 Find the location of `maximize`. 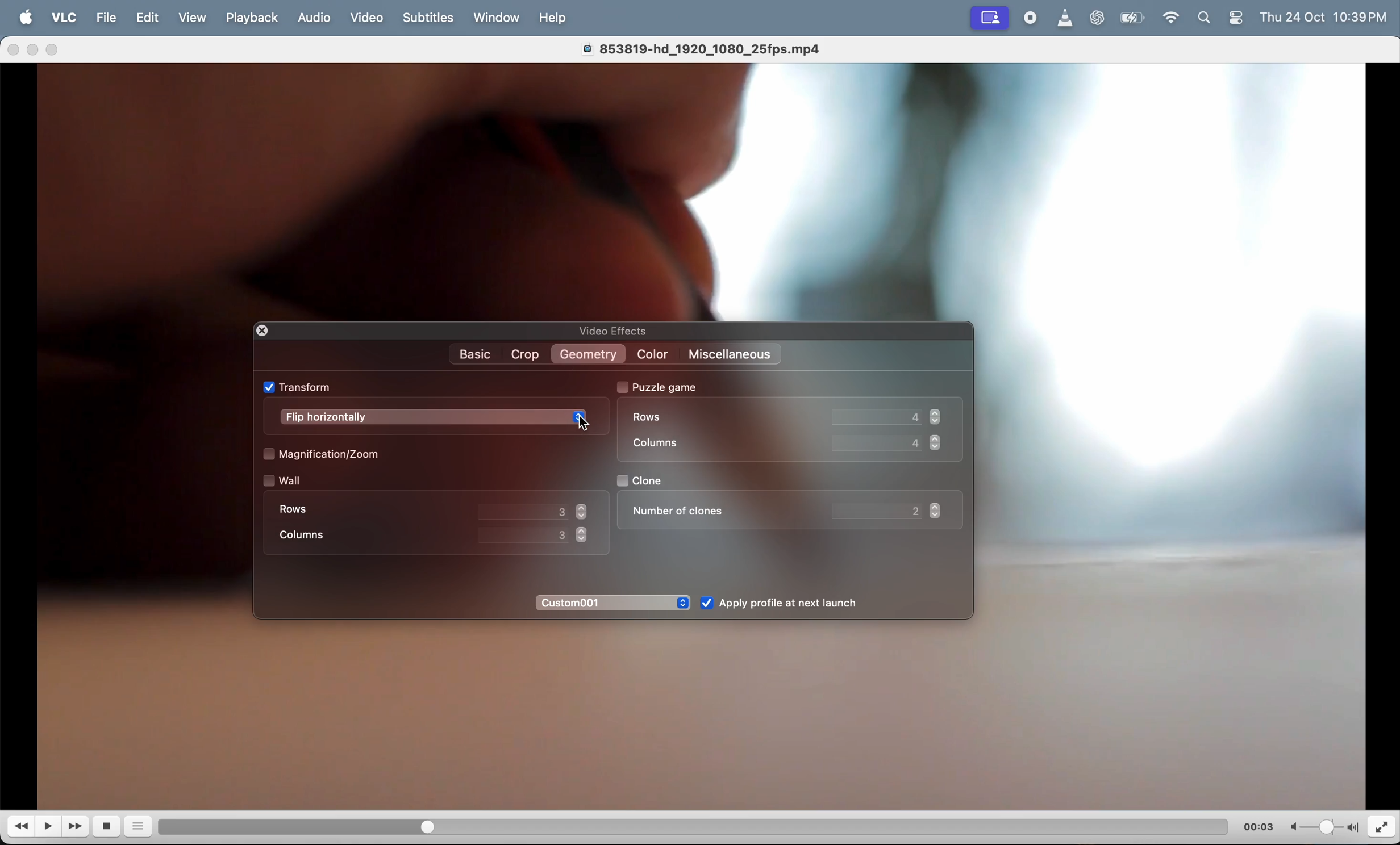

maximize is located at coordinates (58, 50).